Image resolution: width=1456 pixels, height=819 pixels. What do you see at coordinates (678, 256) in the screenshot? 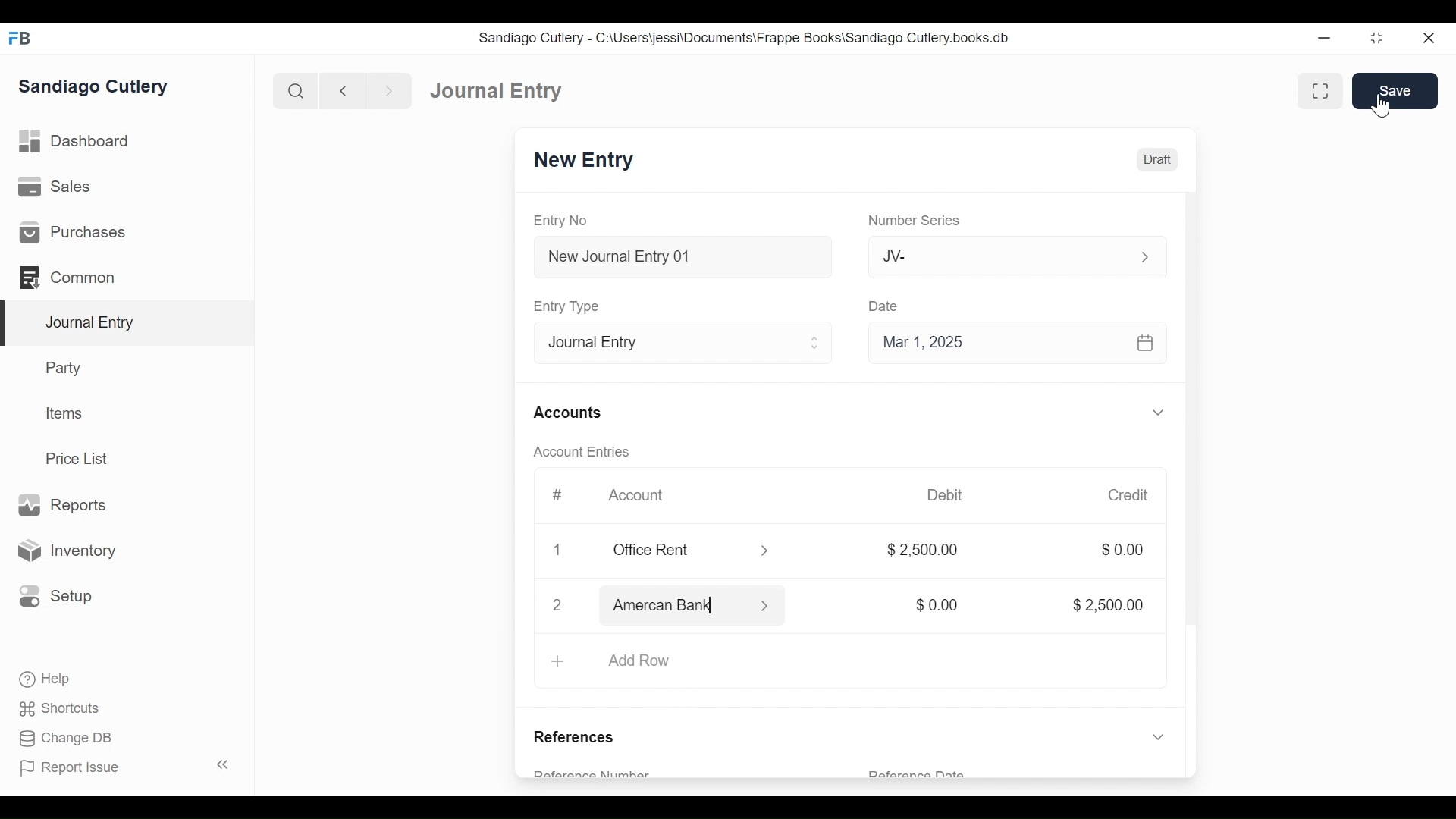
I see `New Journal Entry 01` at bounding box center [678, 256].